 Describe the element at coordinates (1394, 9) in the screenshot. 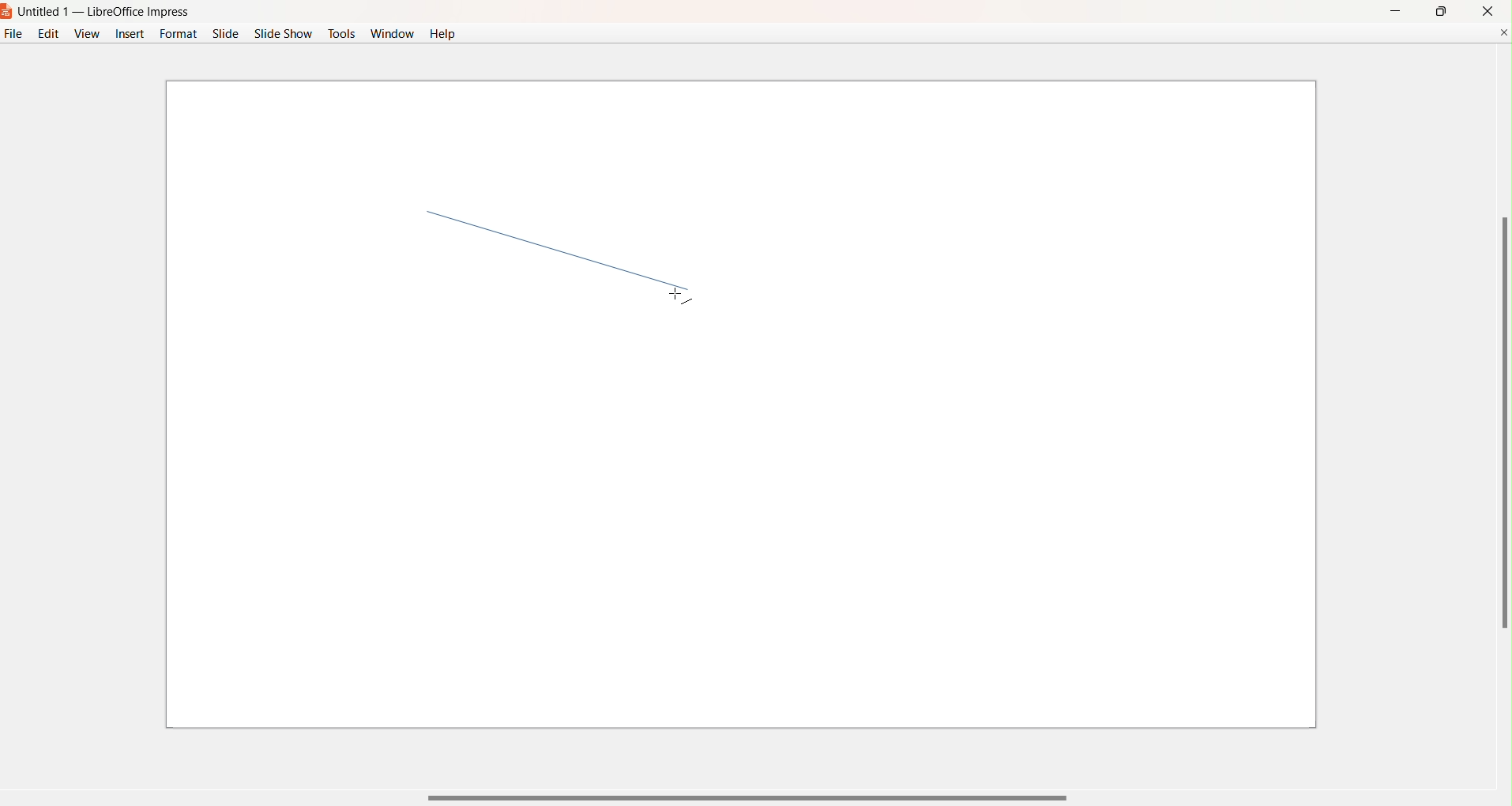

I see `Minimize` at that location.